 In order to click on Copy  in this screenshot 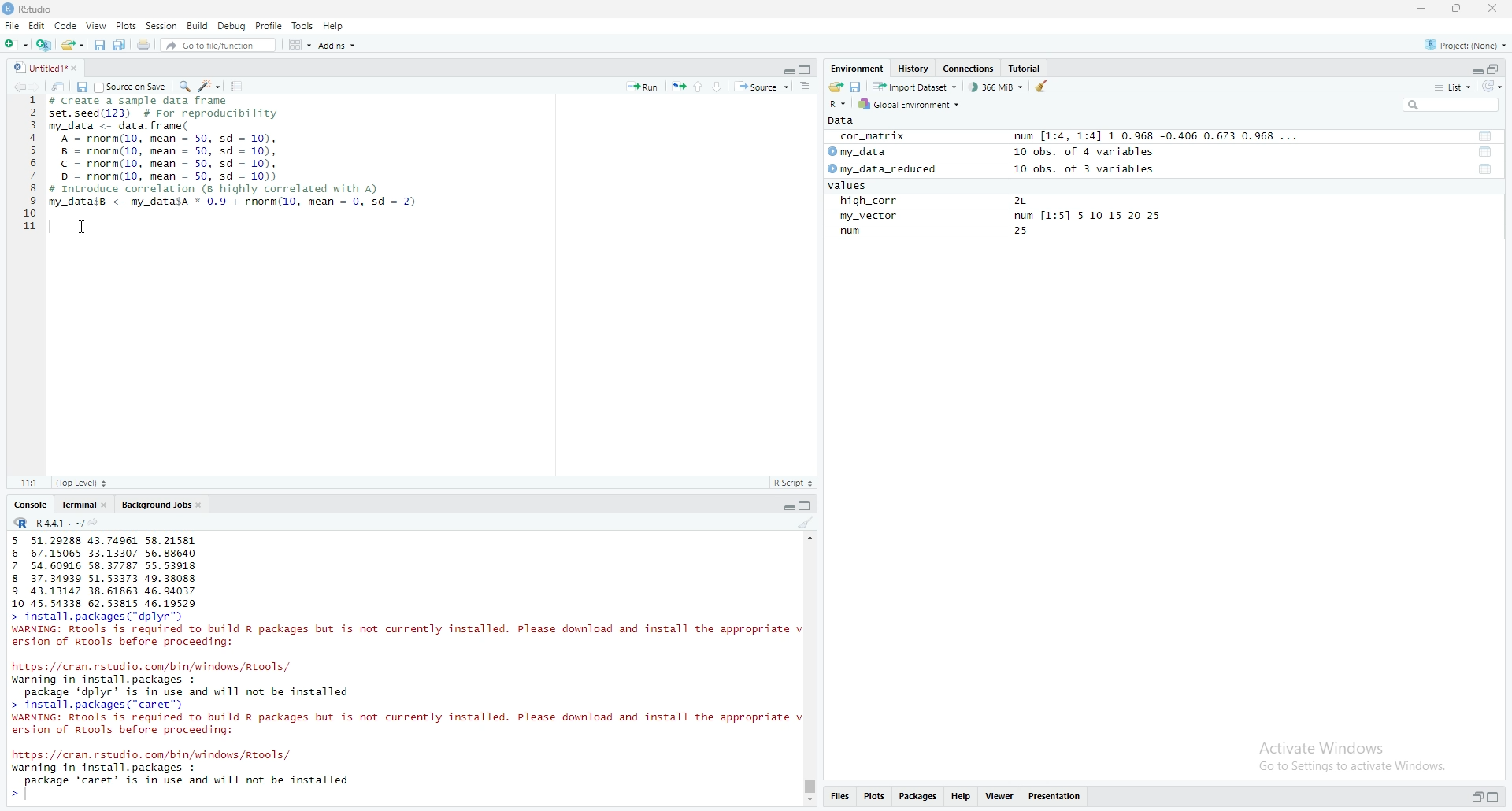, I will do `click(120, 45)`.